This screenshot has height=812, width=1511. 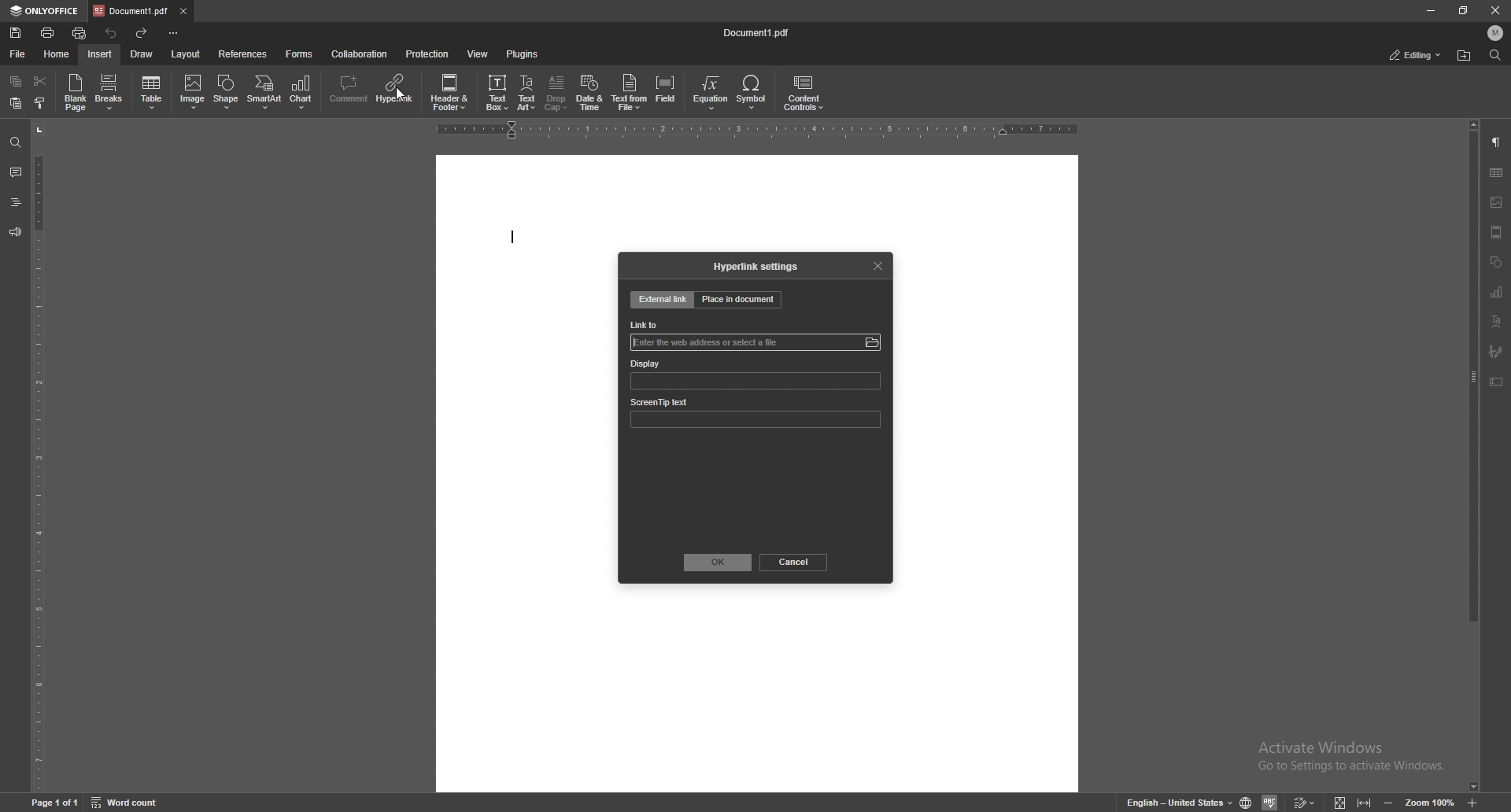 What do you see at coordinates (17, 80) in the screenshot?
I see `copy` at bounding box center [17, 80].